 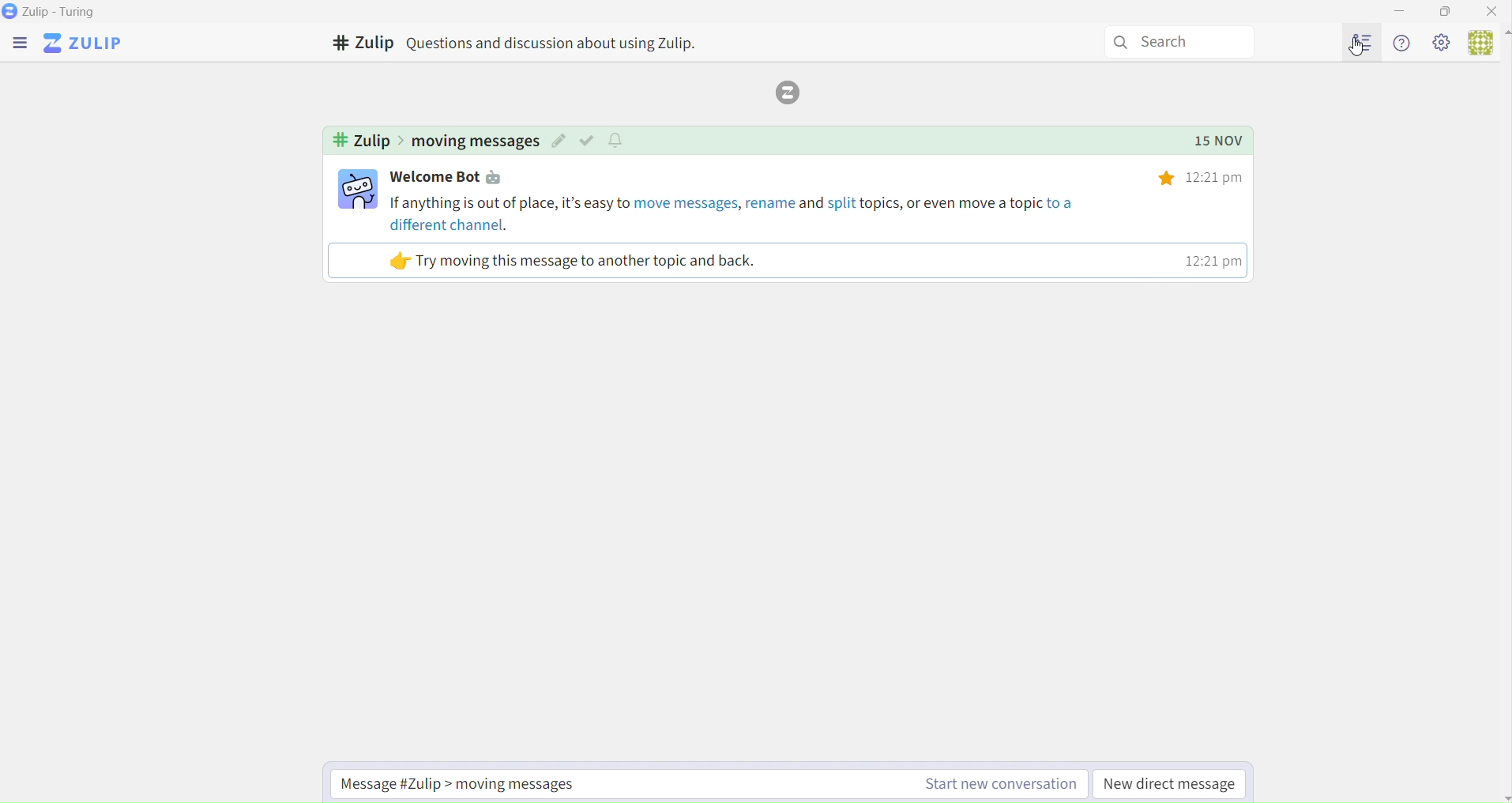 What do you see at coordinates (589, 140) in the screenshot?
I see `mark` at bounding box center [589, 140].